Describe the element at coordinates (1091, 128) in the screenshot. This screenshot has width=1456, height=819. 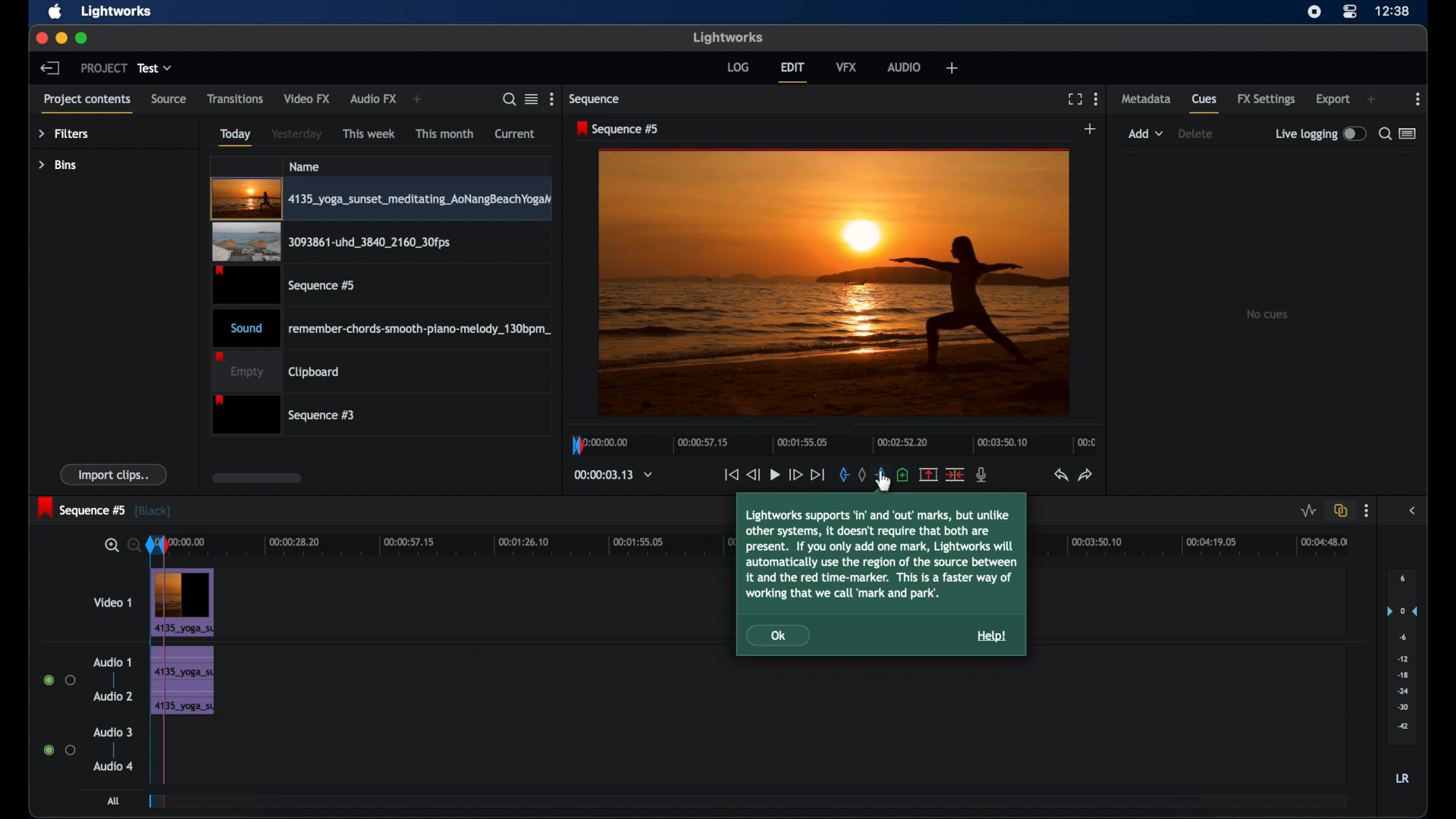
I see `add` at that location.